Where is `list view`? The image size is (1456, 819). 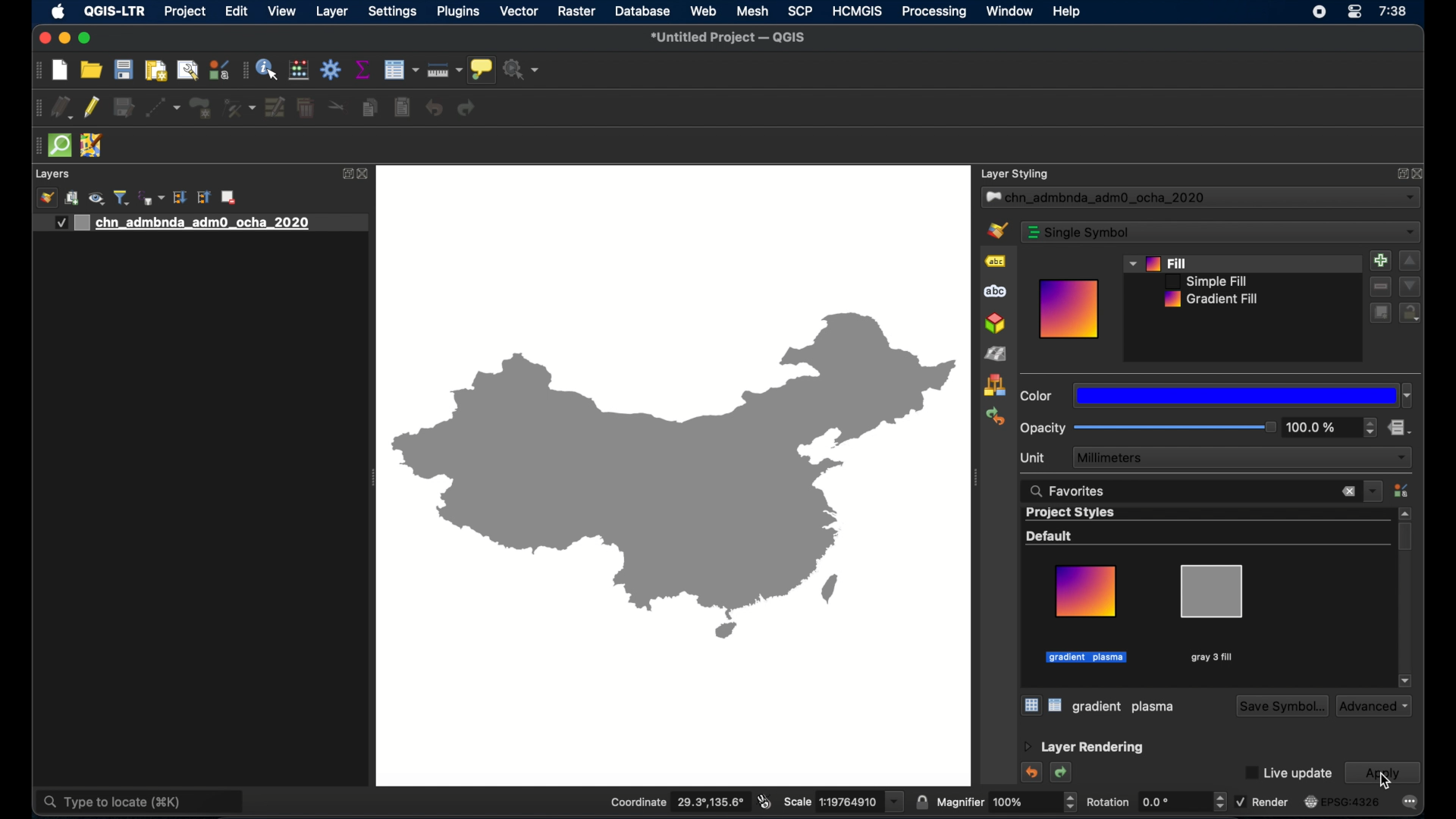
list view is located at coordinates (1056, 705).